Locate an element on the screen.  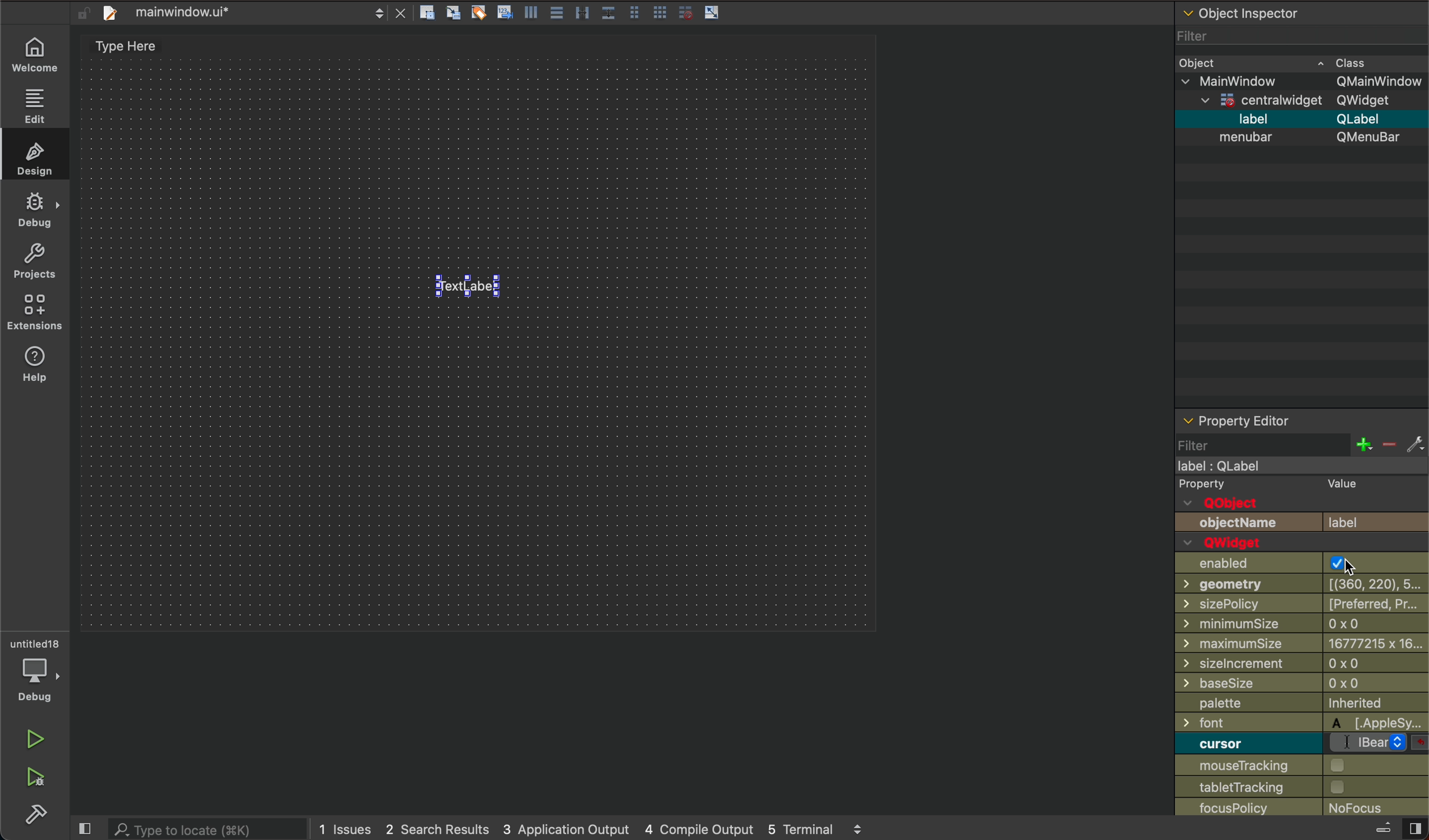
property editor is located at coordinates (1301, 418).